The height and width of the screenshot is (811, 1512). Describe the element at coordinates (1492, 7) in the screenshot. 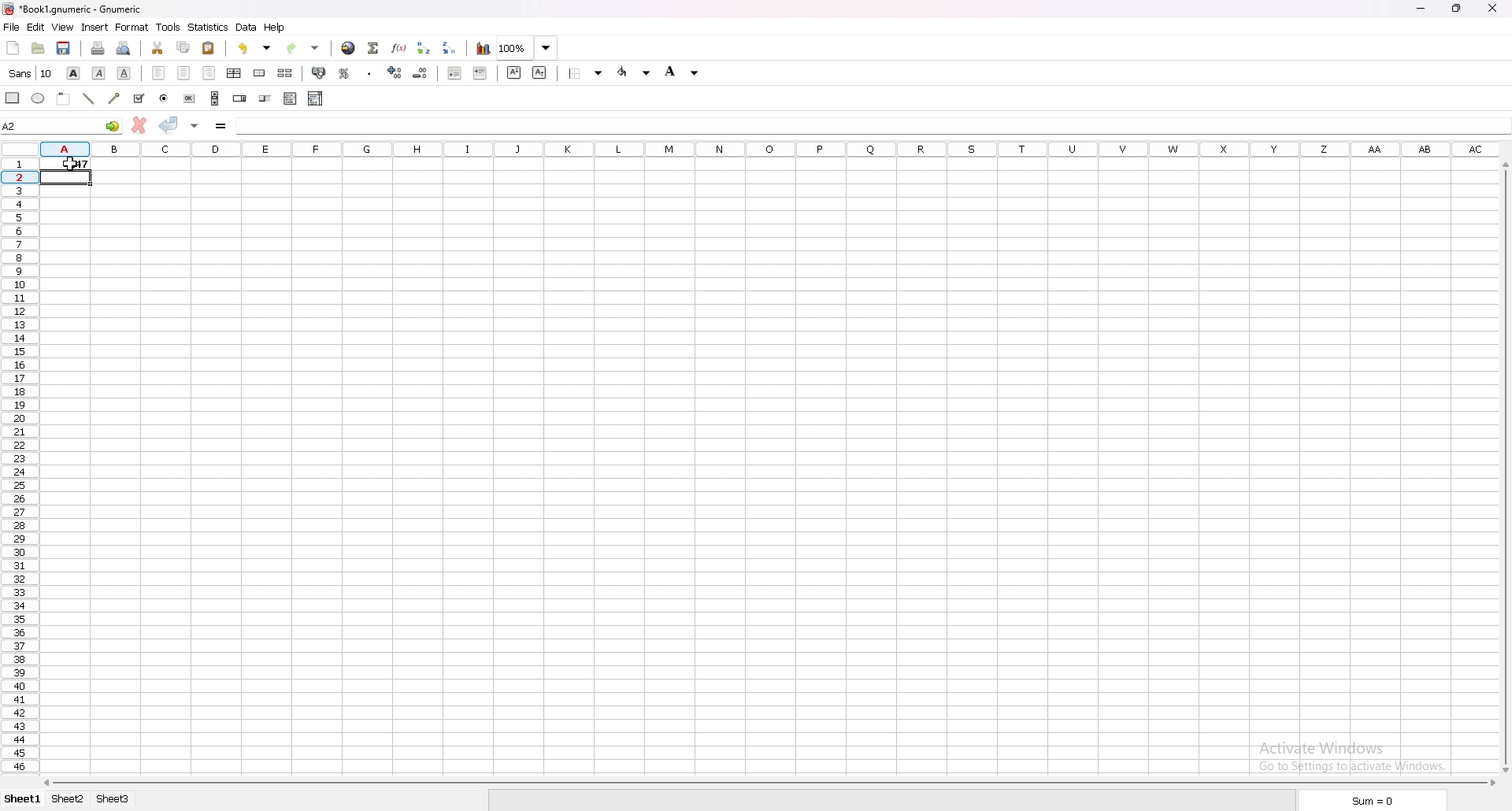

I see `close` at that location.